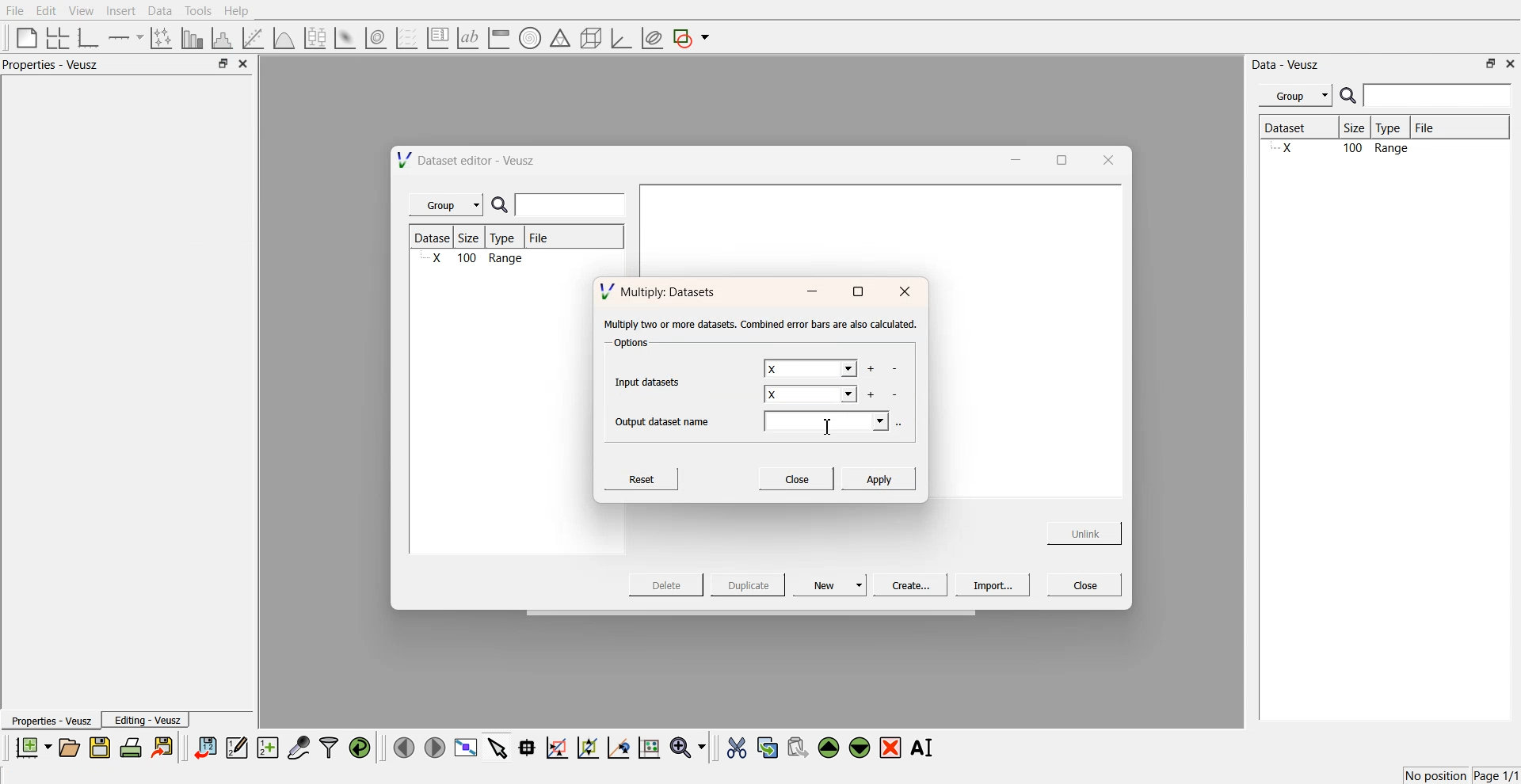 This screenshot has width=1521, height=784. I want to click on Edit, so click(47, 10).